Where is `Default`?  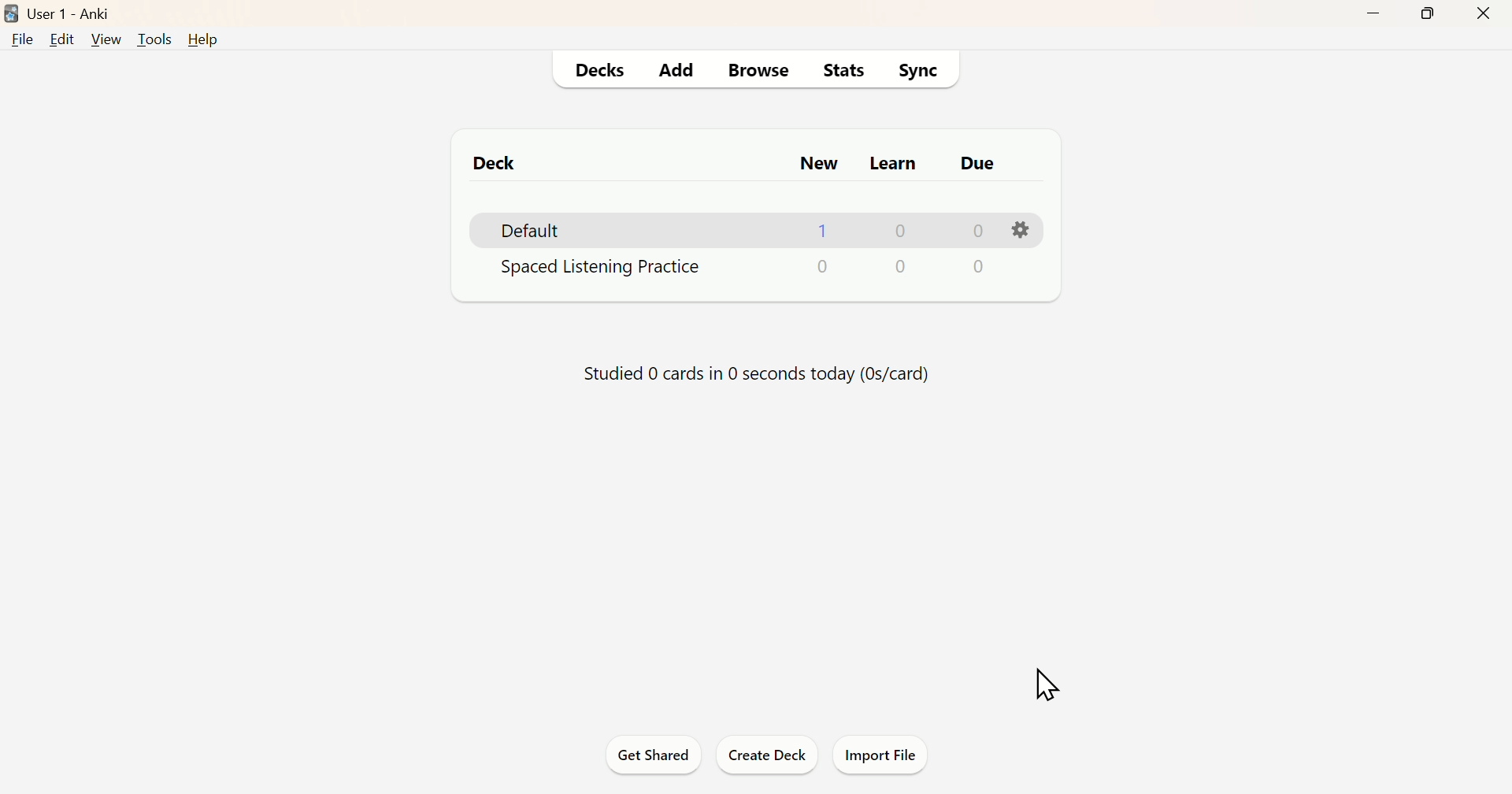
Default is located at coordinates (532, 230).